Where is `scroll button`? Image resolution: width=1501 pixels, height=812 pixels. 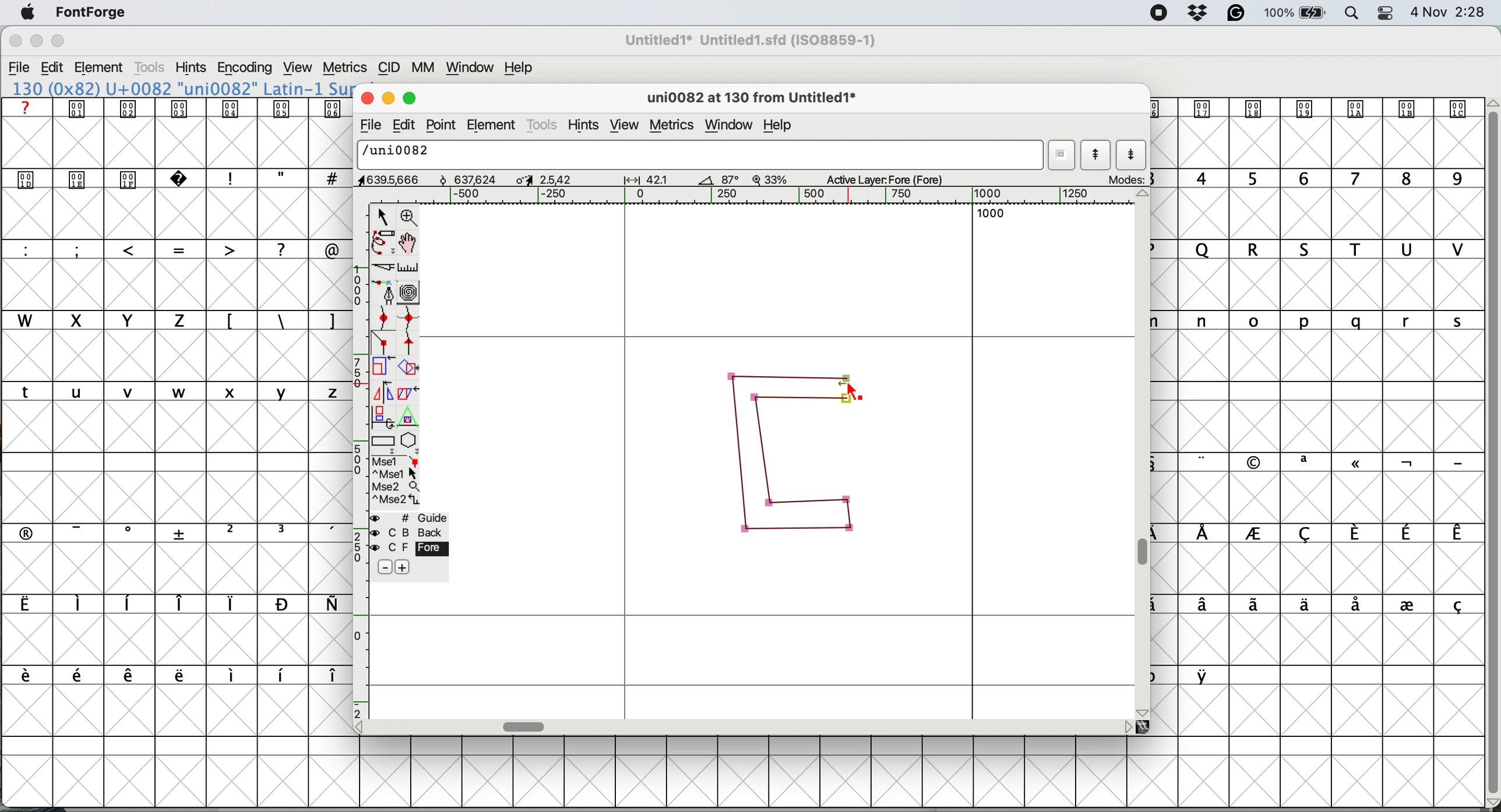
scroll button is located at coordinates (1144, 711).